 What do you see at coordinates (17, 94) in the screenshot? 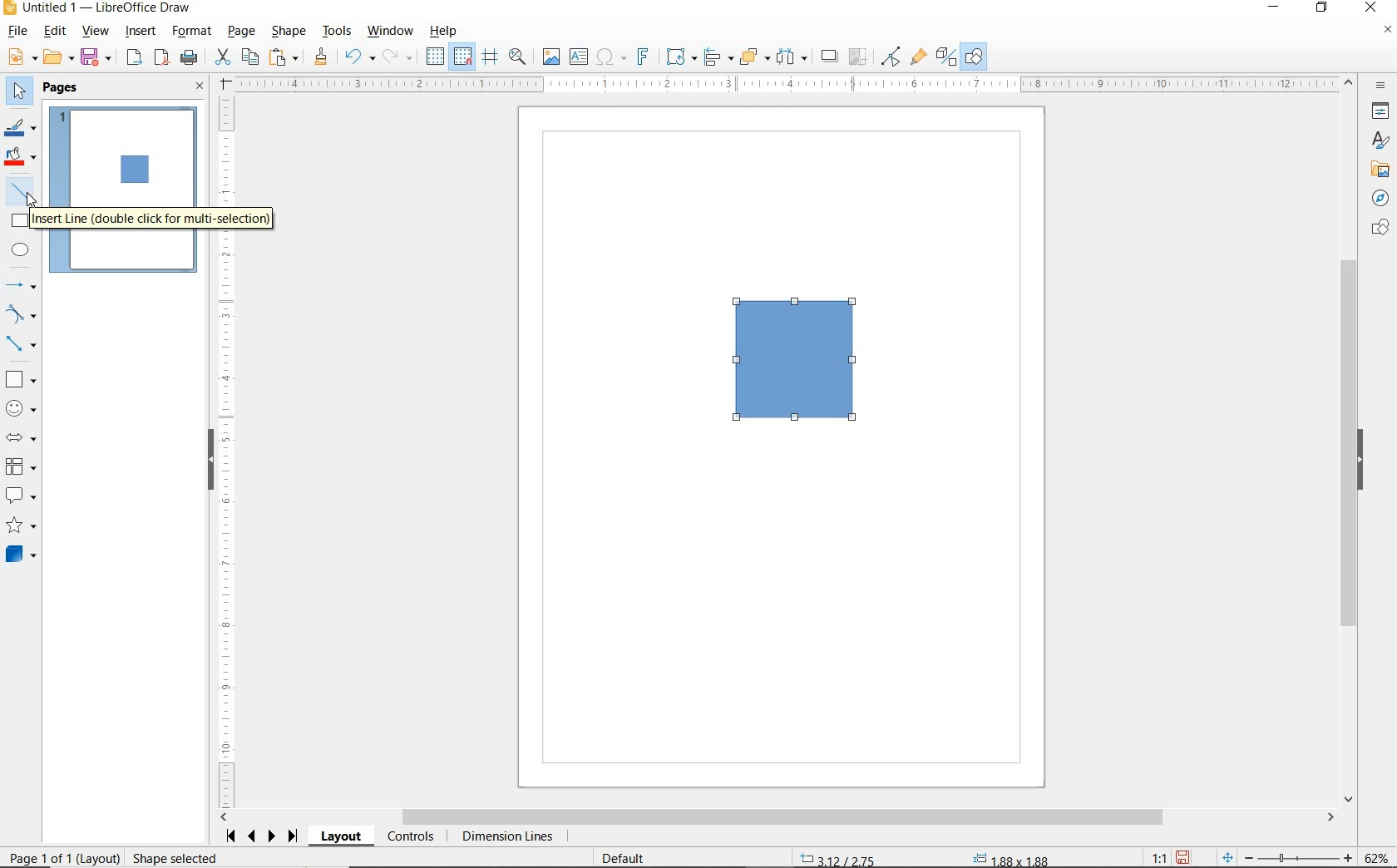
I see `SELECT` at bounding box center [17, 94].